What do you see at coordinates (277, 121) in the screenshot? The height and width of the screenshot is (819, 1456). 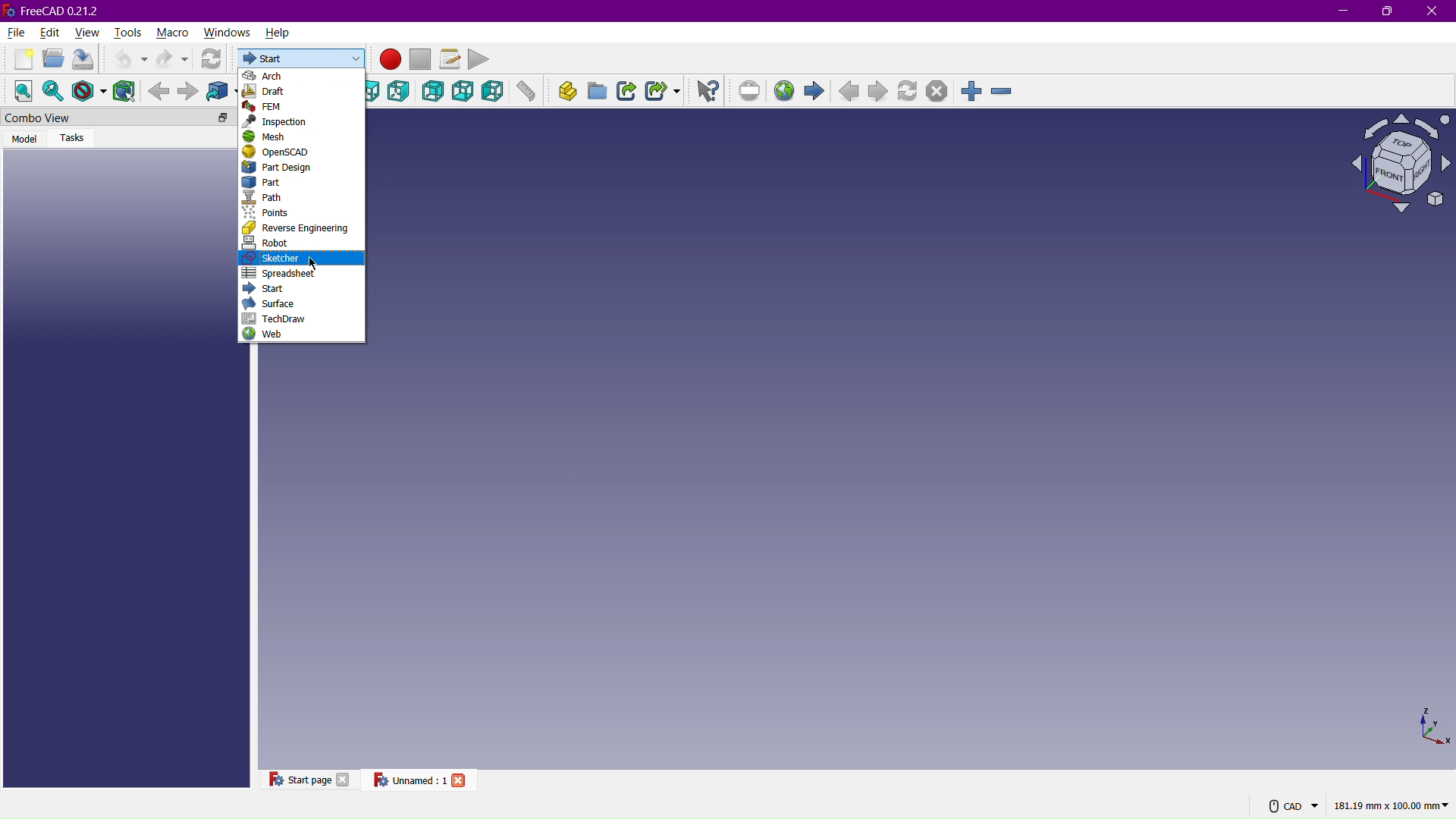 I see `Inspection` at bounding box center [277, 121].